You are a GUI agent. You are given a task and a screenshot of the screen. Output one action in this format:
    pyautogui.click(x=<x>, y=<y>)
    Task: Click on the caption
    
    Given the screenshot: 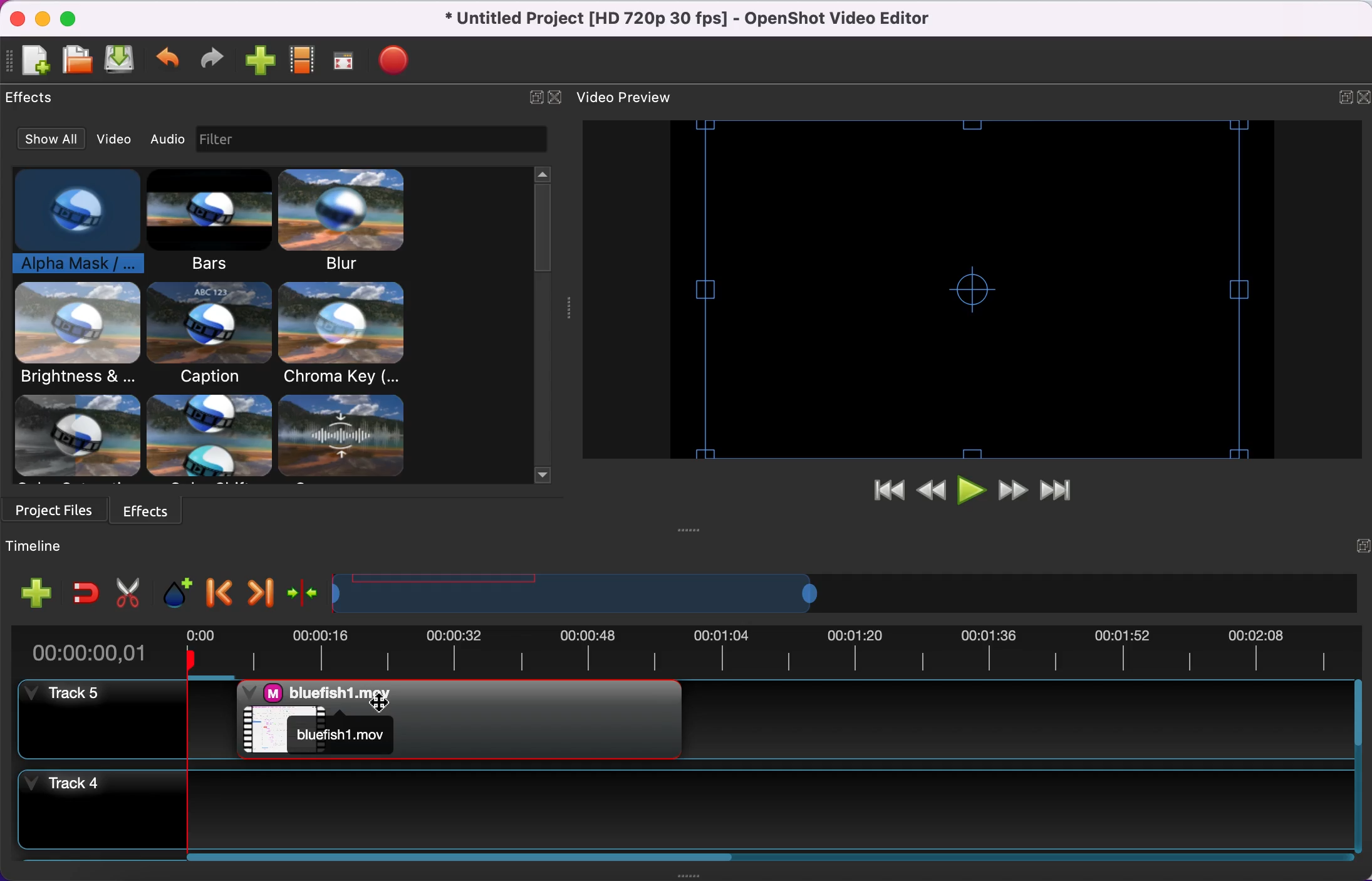 What is the action you would take?
    pyautogui.click(x=207, y=335)
    